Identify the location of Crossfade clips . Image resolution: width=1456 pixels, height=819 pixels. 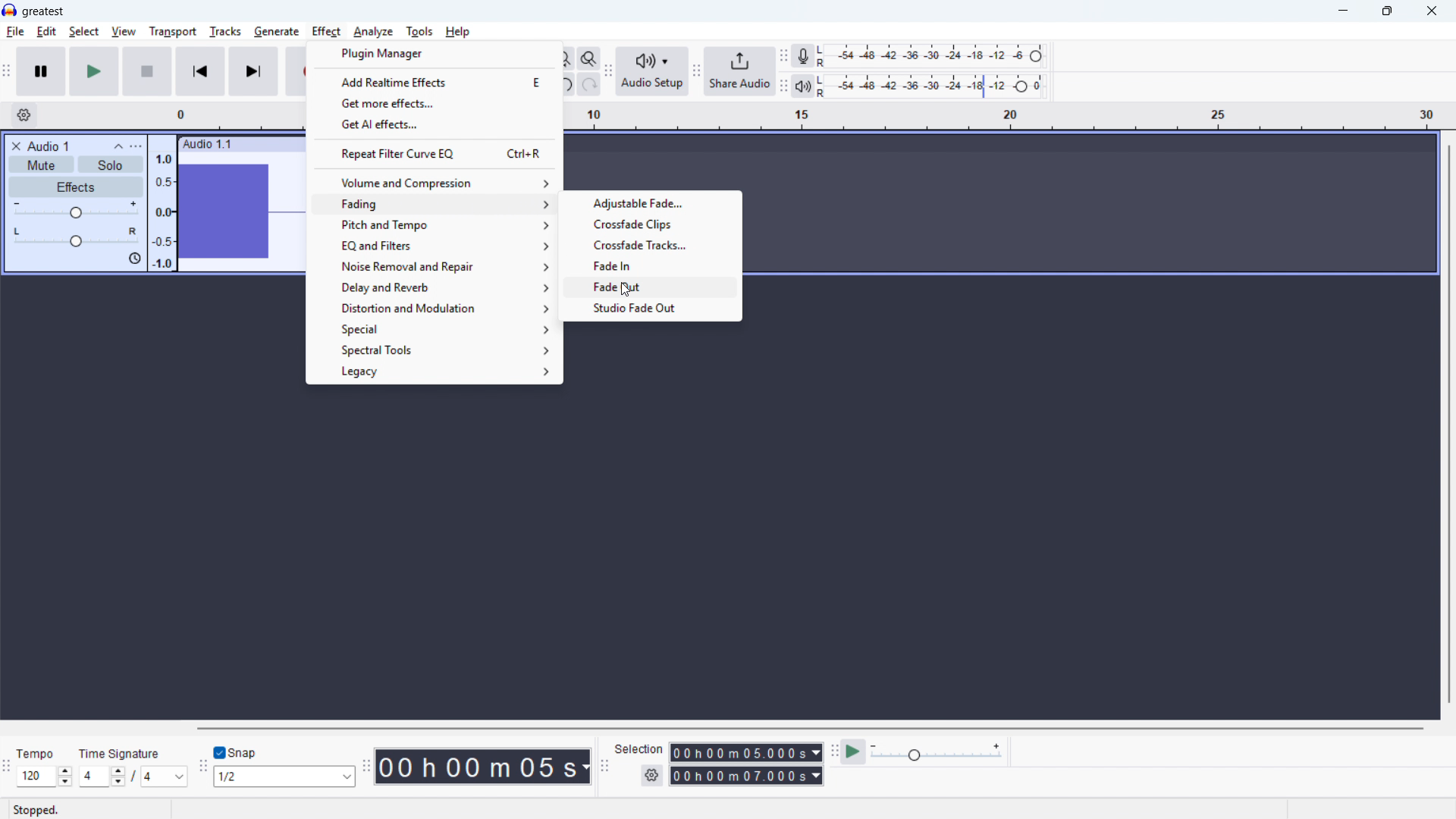
(651, 224).